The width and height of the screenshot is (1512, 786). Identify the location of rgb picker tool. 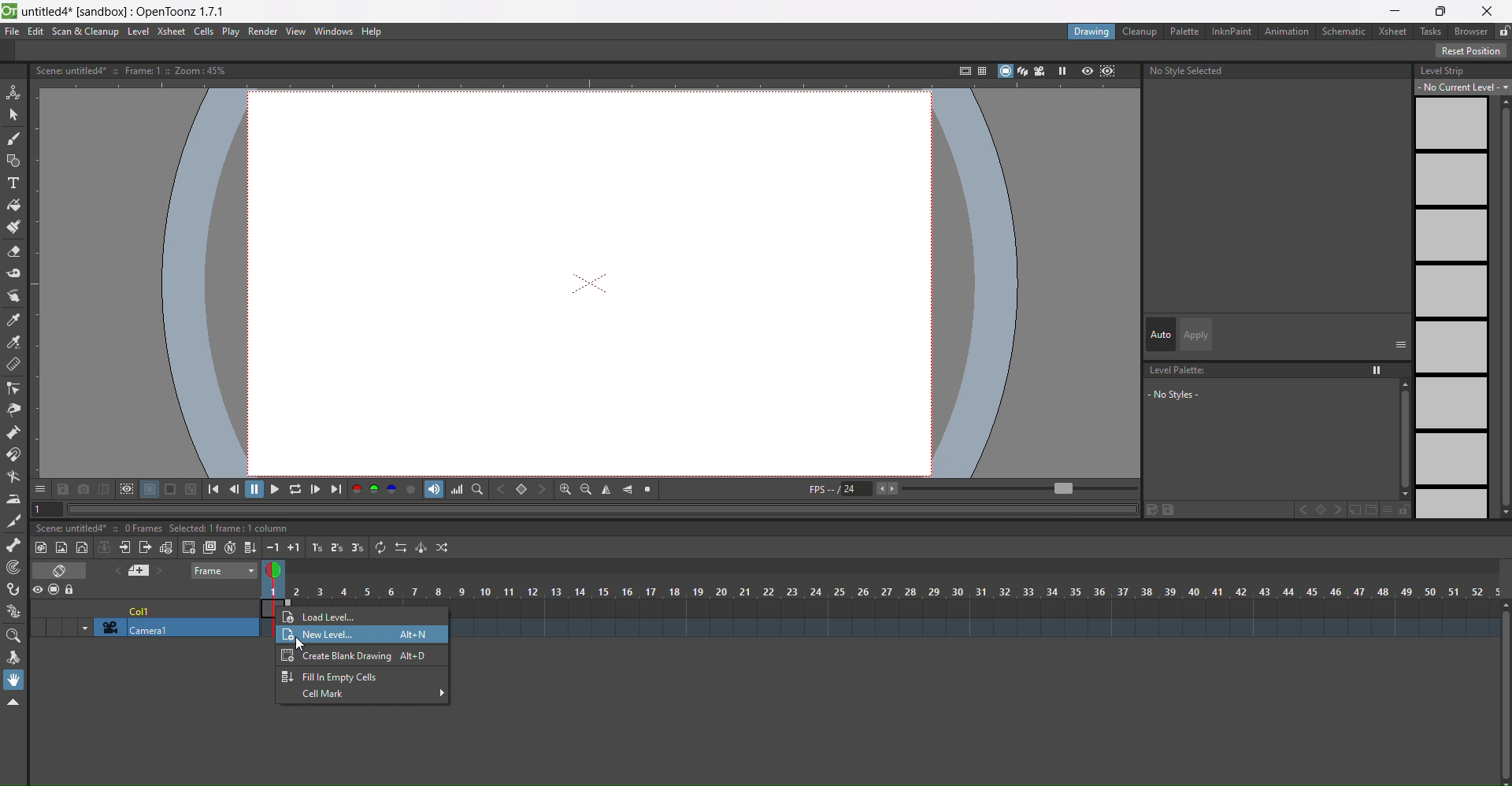
(13, 343).